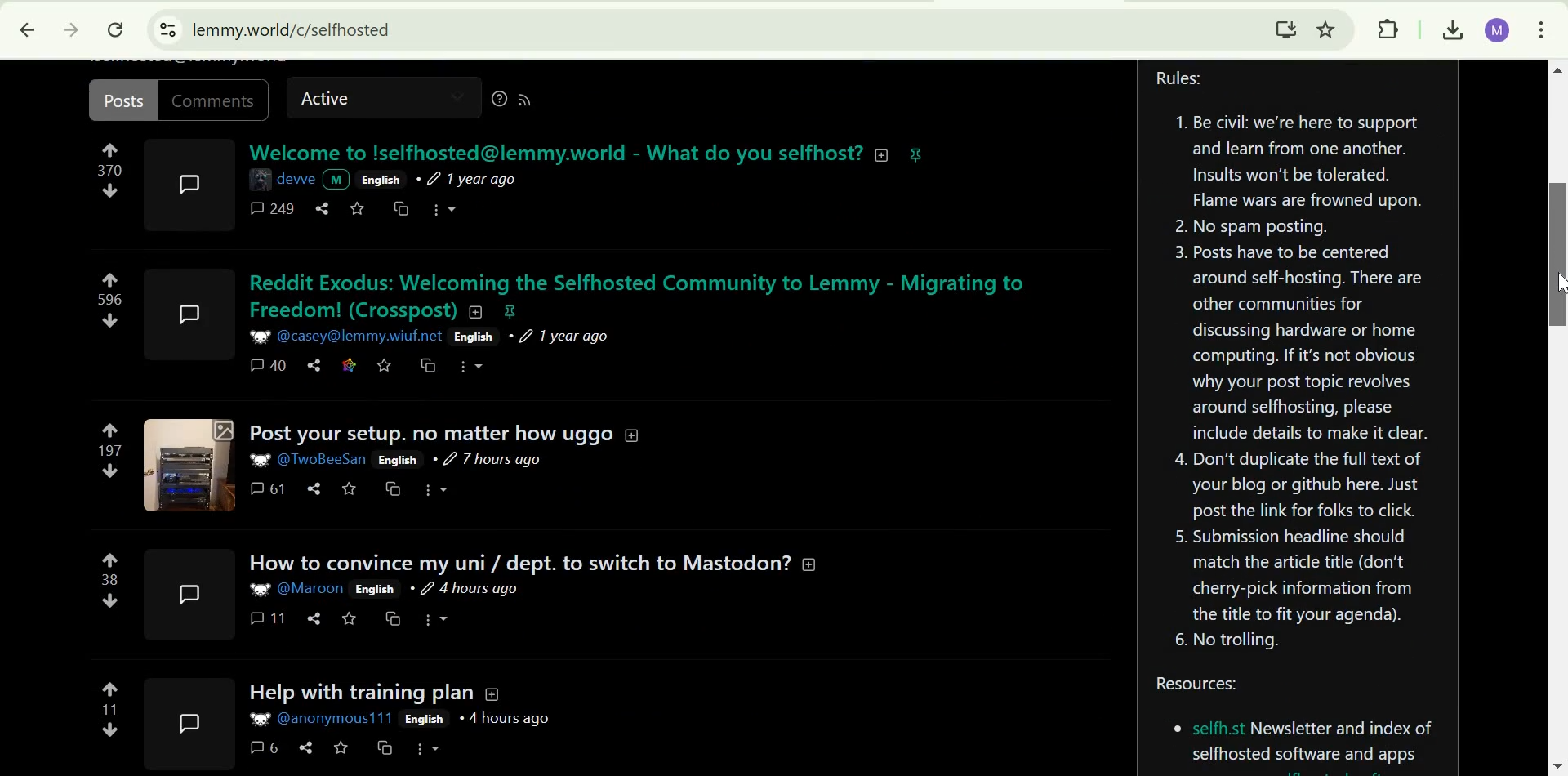 The width and height of the screenshot is (1568, 776). I want to click on save, so click(357, 210).